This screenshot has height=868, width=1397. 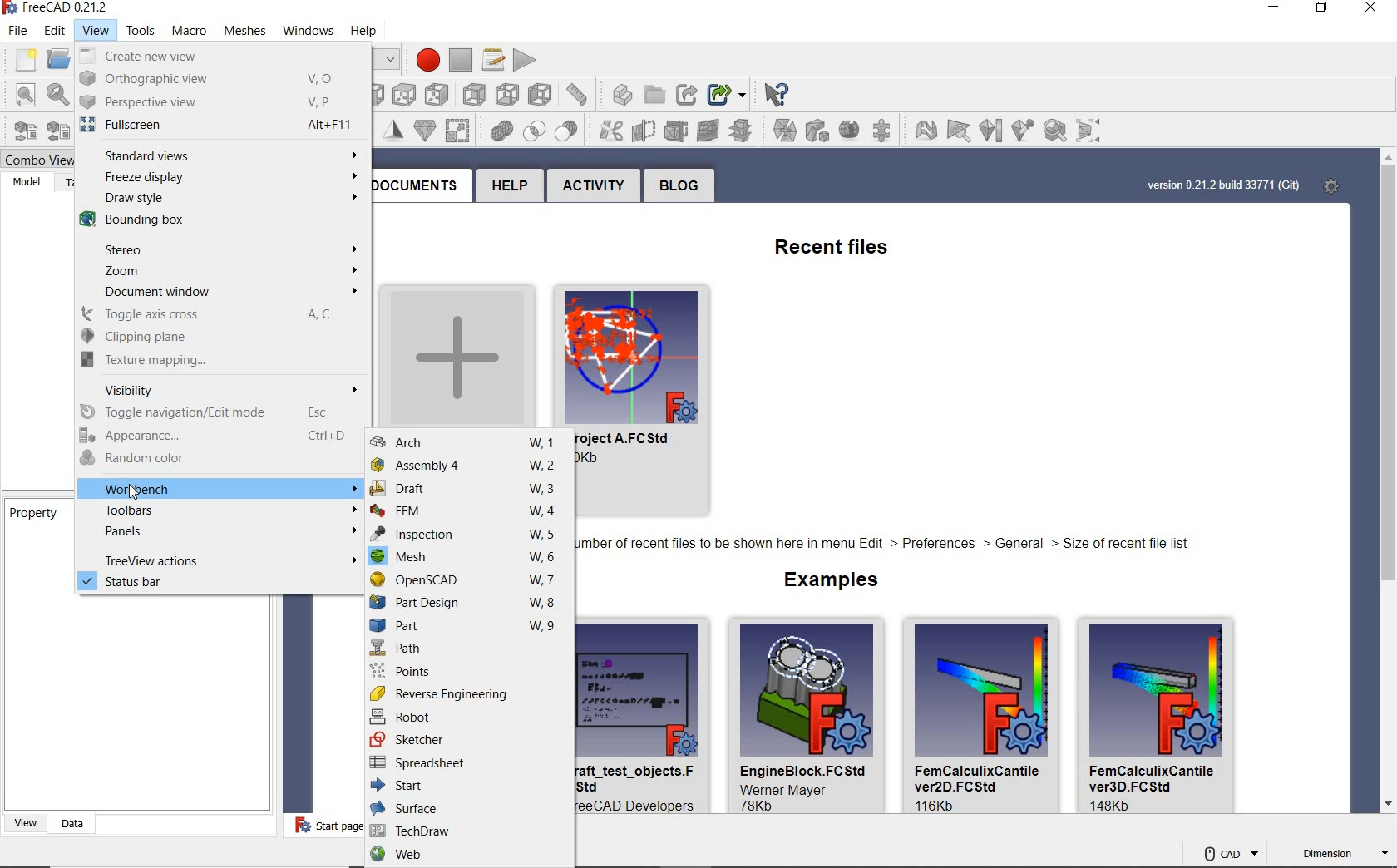 What do you see at coordinates (476, 93) in the screenshot?
I see `bottom` at bounding box center [476, 93].